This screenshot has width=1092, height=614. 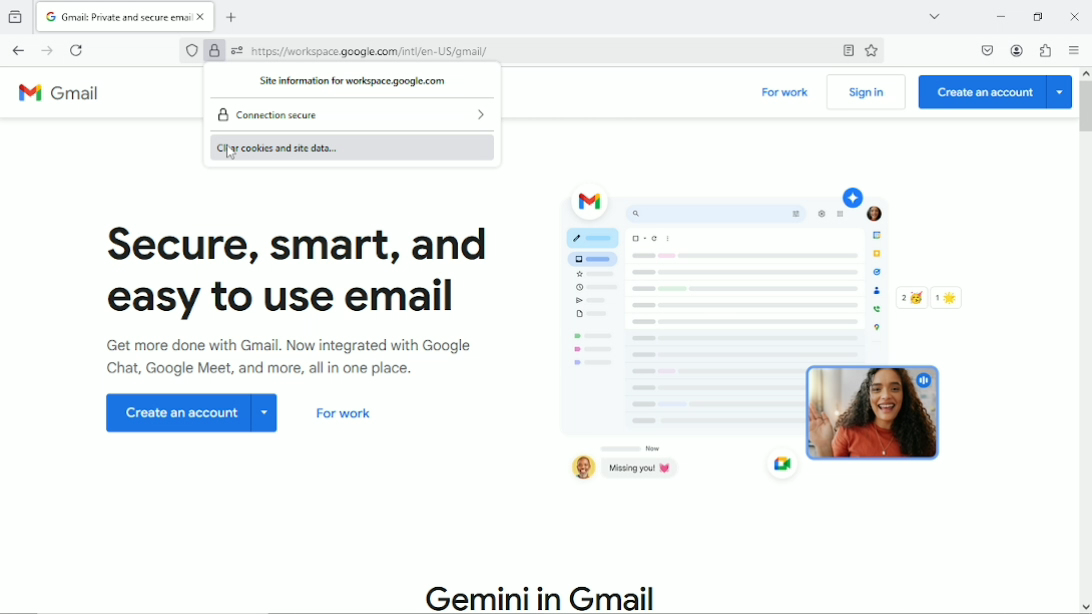 I want to click on Create an account, so click(x=995, y=92).